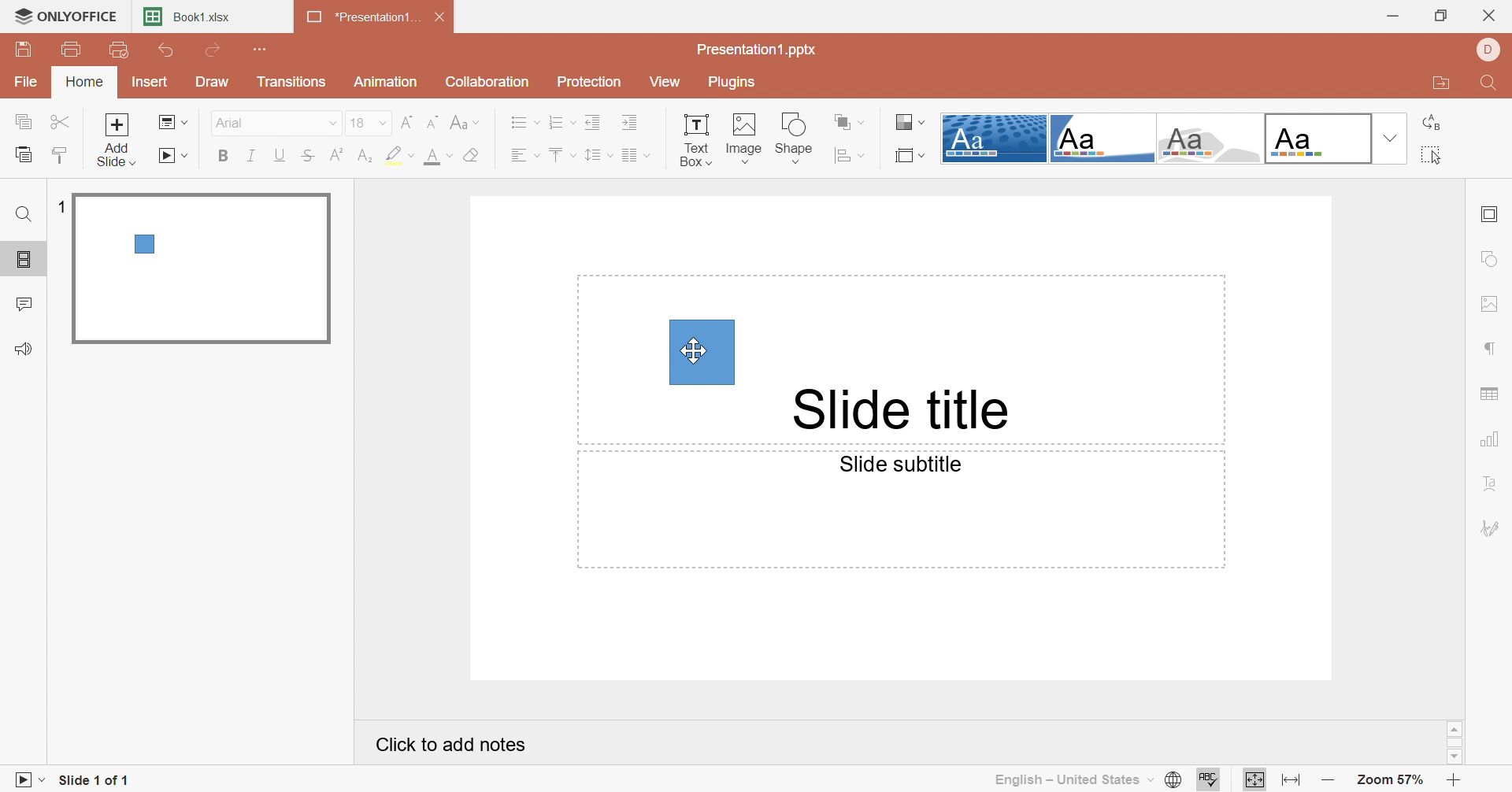 This screenshot has height=792, width=1512. I want to click on Bullets, so click(525, 123).